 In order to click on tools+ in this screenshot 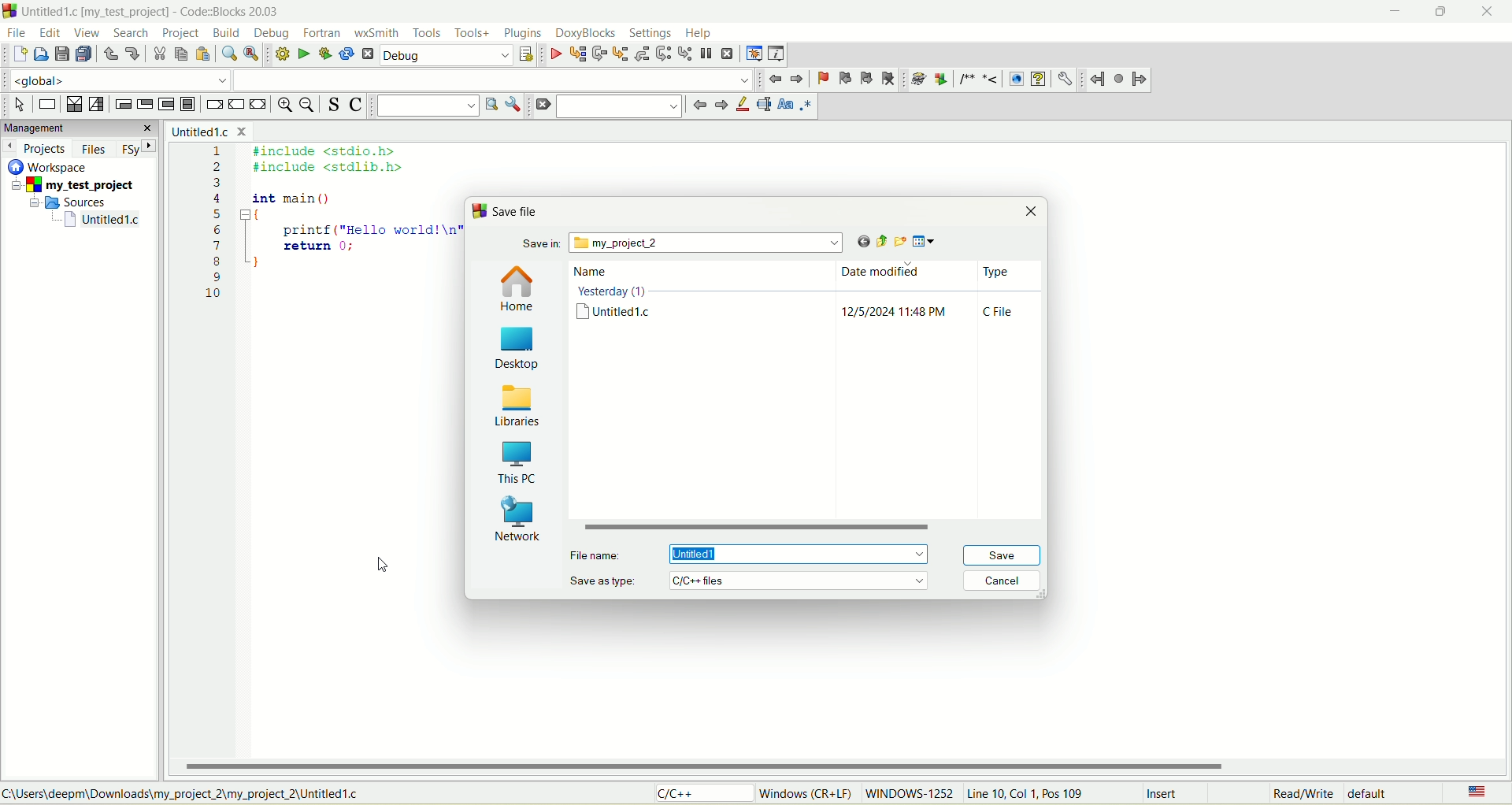, I will do `click(472, 33)`.